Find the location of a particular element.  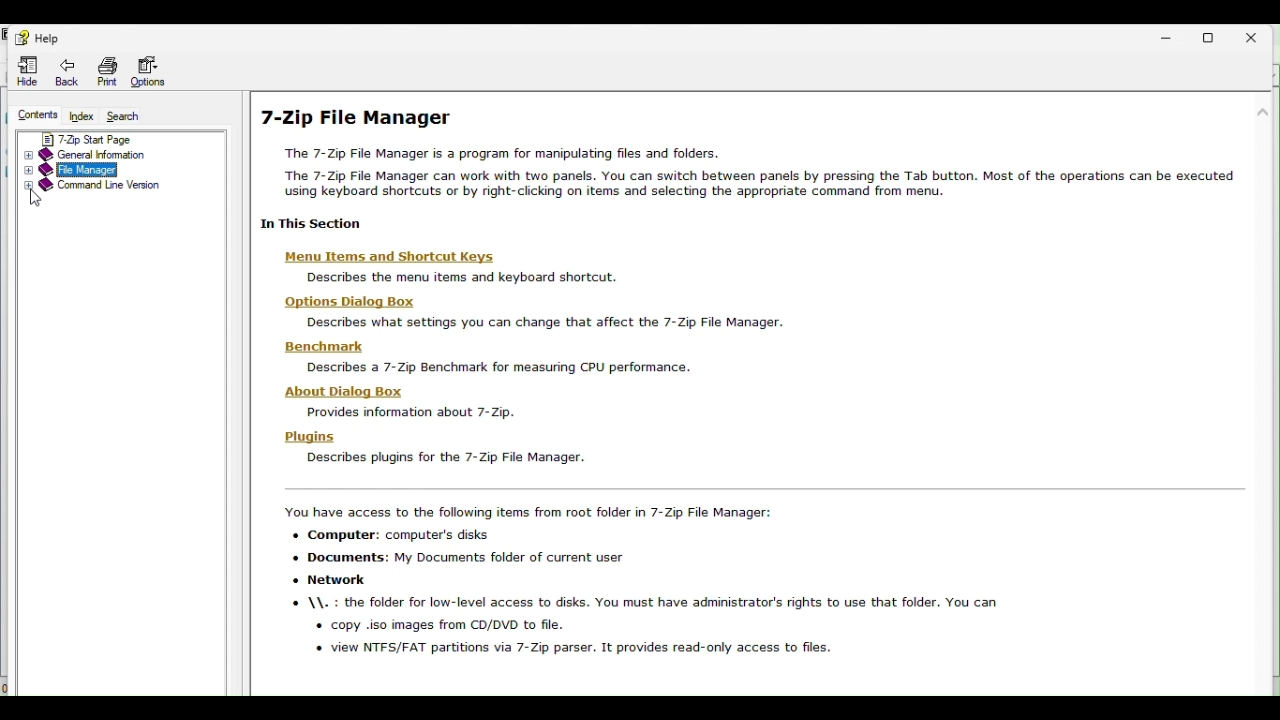

General information is located at coordinates (114, 155).